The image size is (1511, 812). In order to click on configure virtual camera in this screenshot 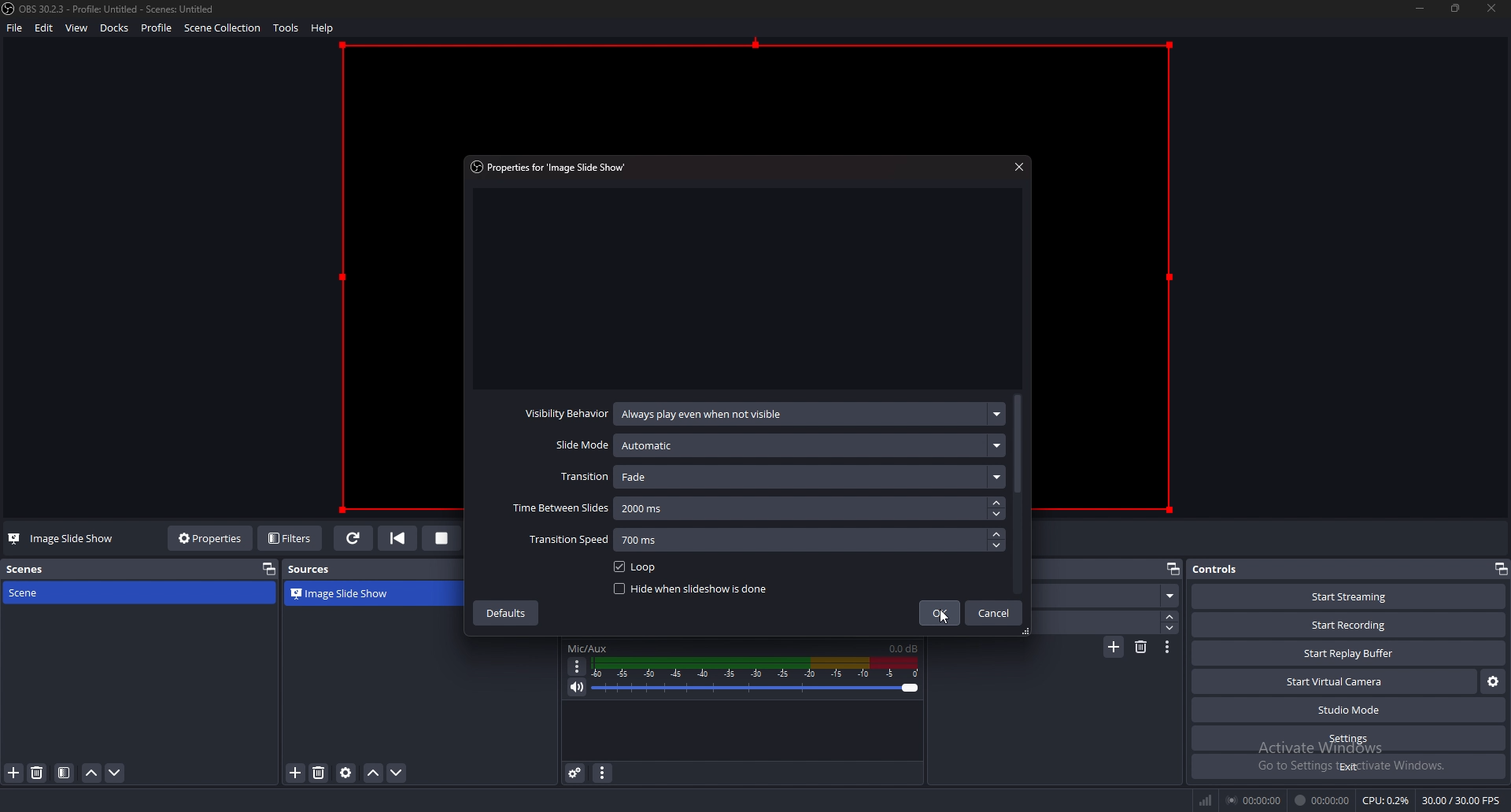, I will do `click(1494, 680)`.